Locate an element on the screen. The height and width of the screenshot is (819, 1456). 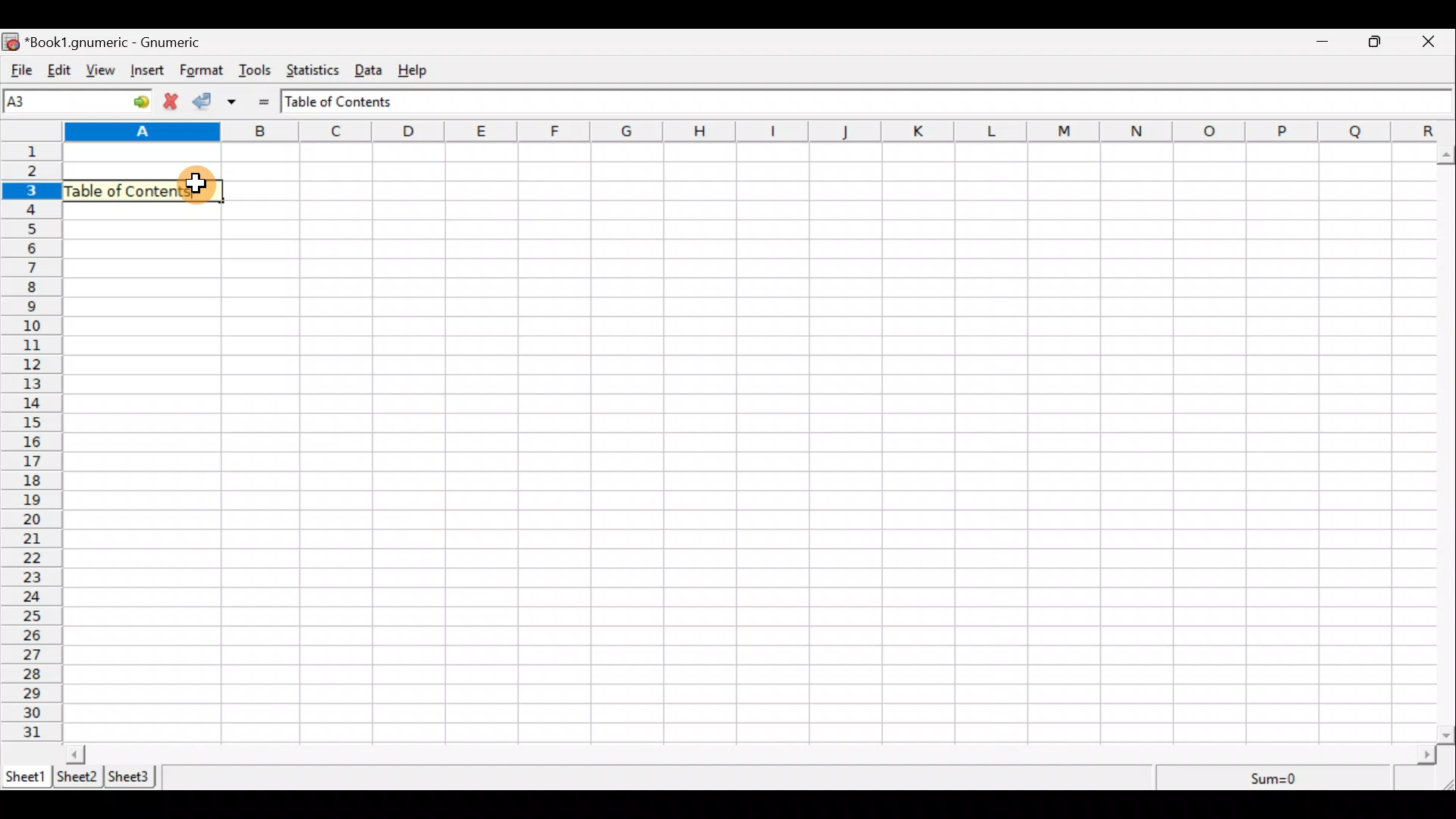
Cell name is located at coordinates (78, 101).